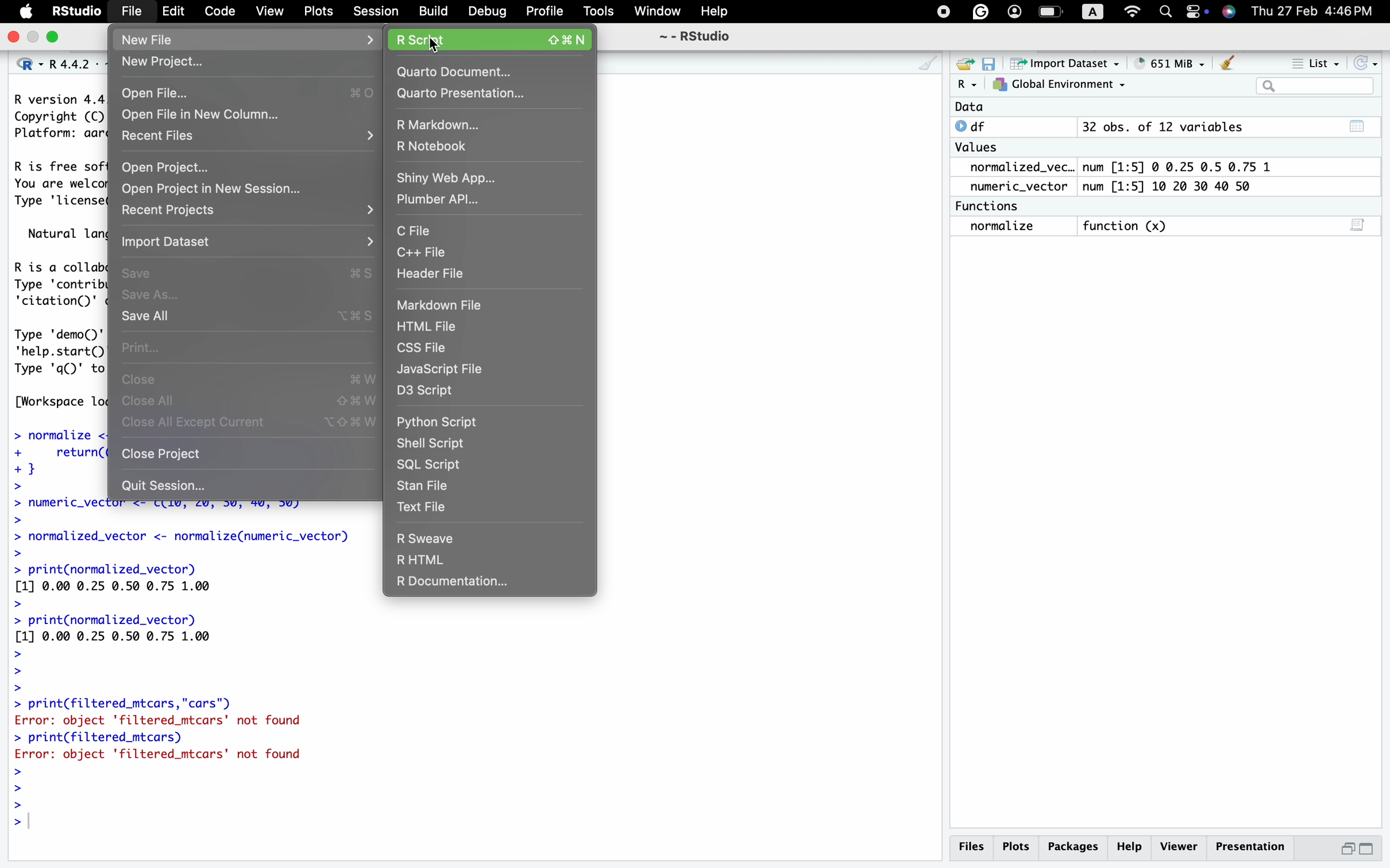  I want to click on Header File, so click(433, 278).